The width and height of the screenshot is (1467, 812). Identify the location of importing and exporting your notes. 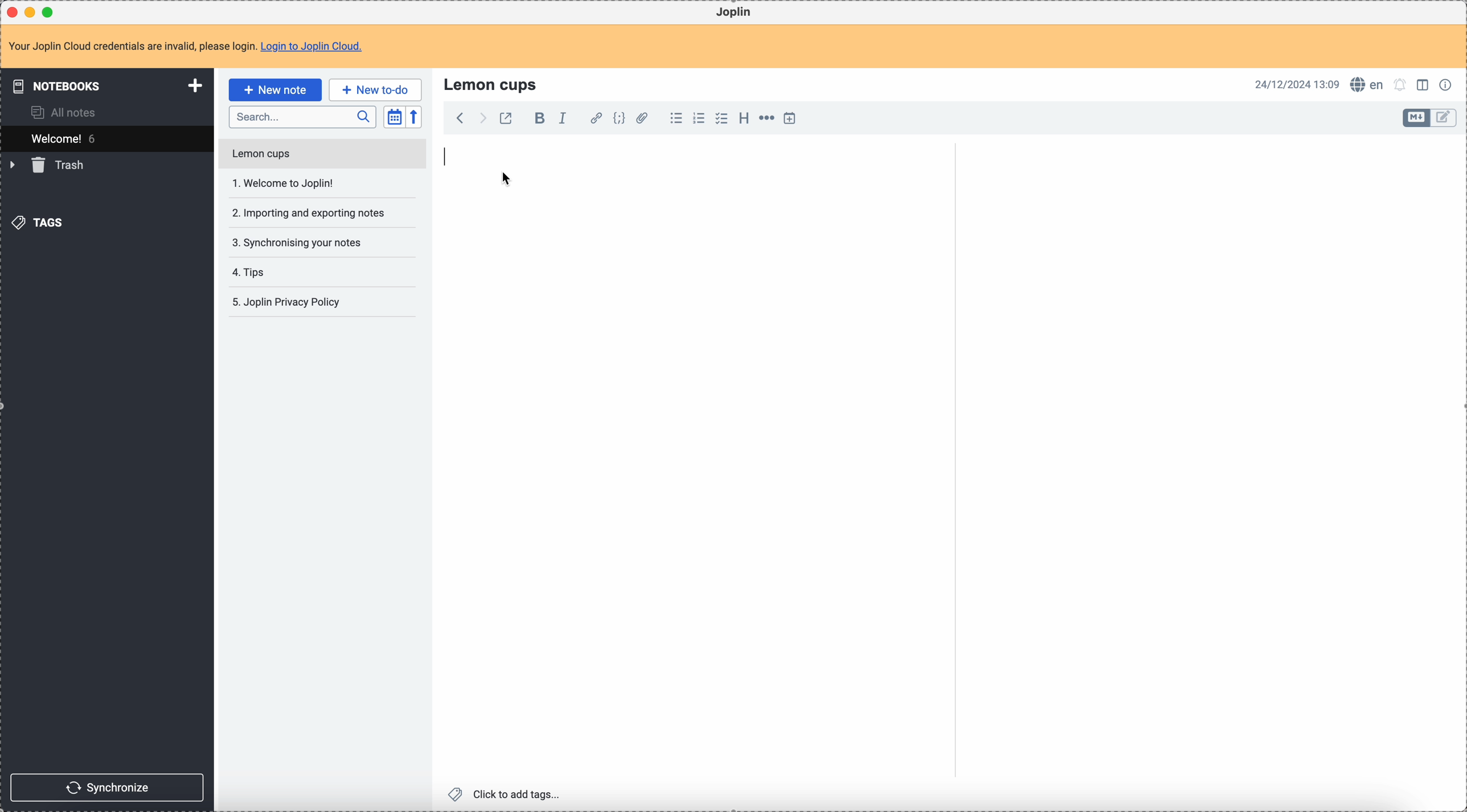
(310, 213).